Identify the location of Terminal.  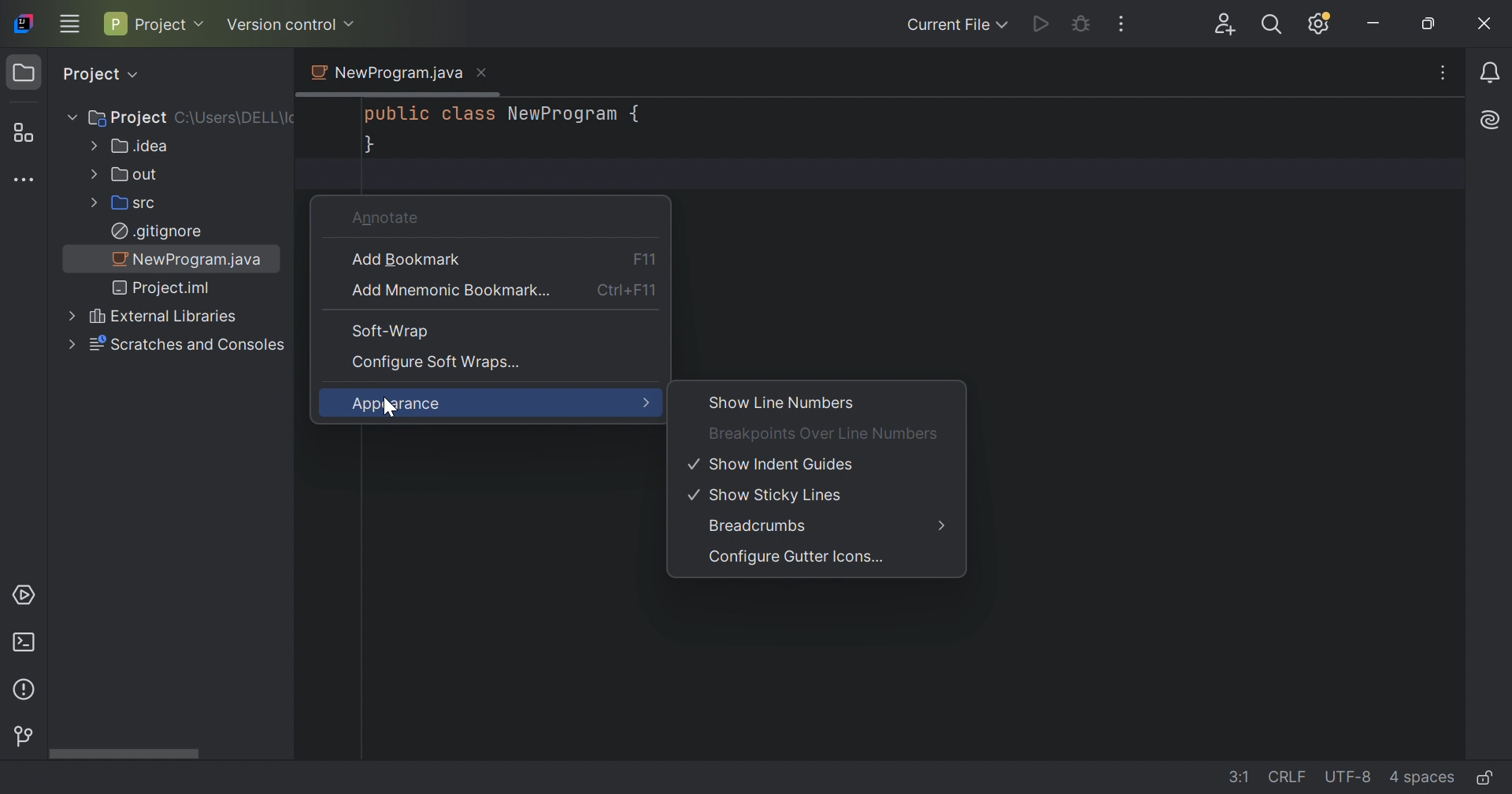
(23, 643).